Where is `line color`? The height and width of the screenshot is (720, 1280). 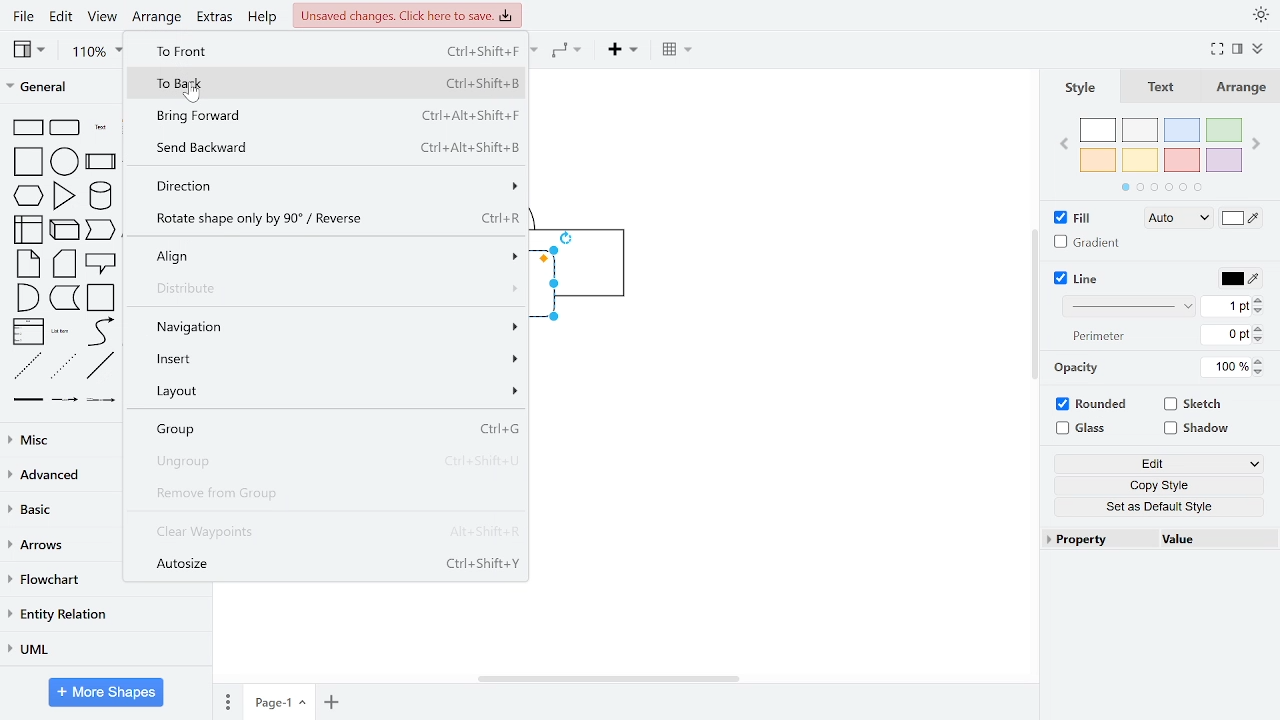
line color is located at coordinates (1242, 280).